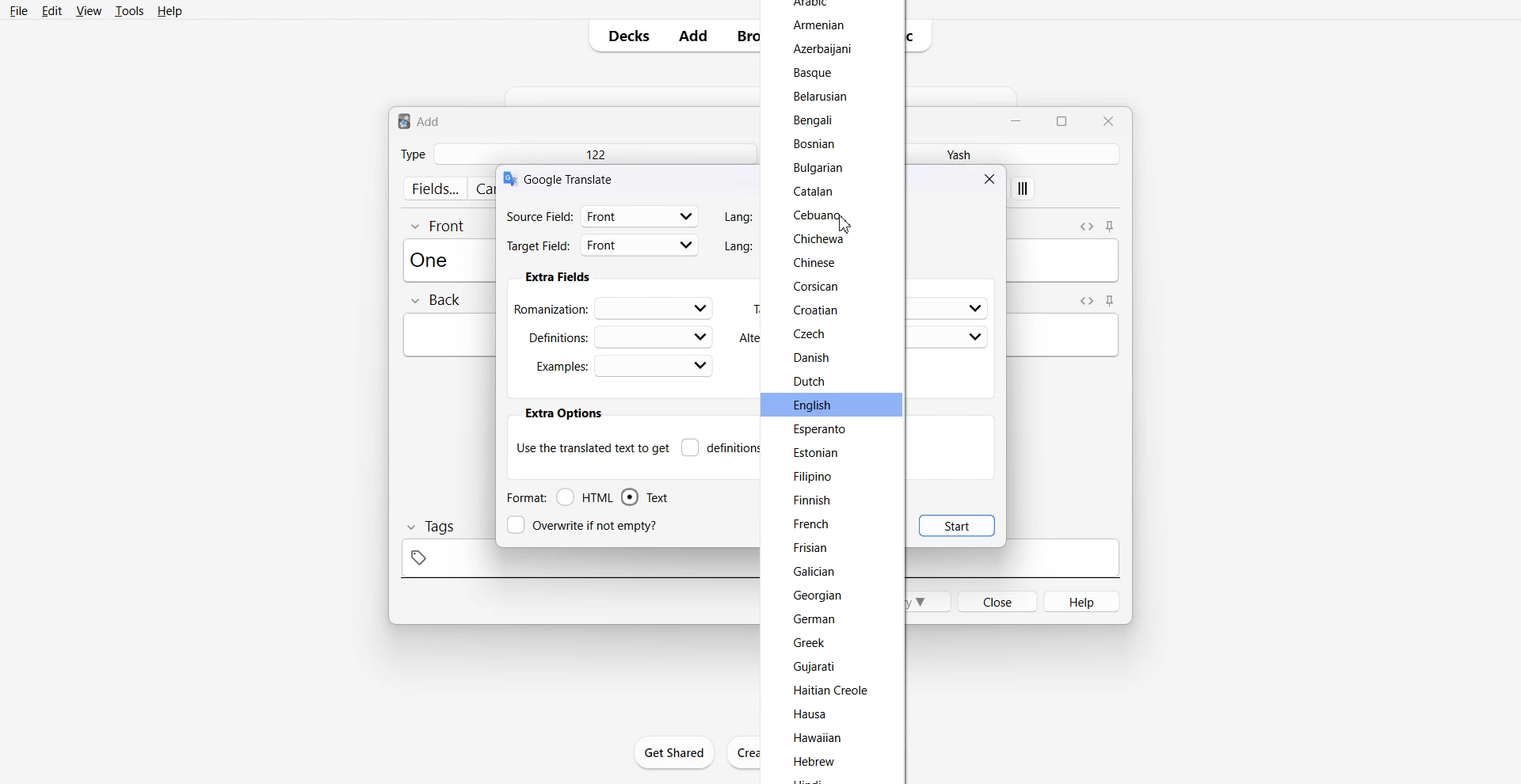 Image resolution: width=1521 pixels, height=784 pixels. I want to click on Yash, so click(955, 154).